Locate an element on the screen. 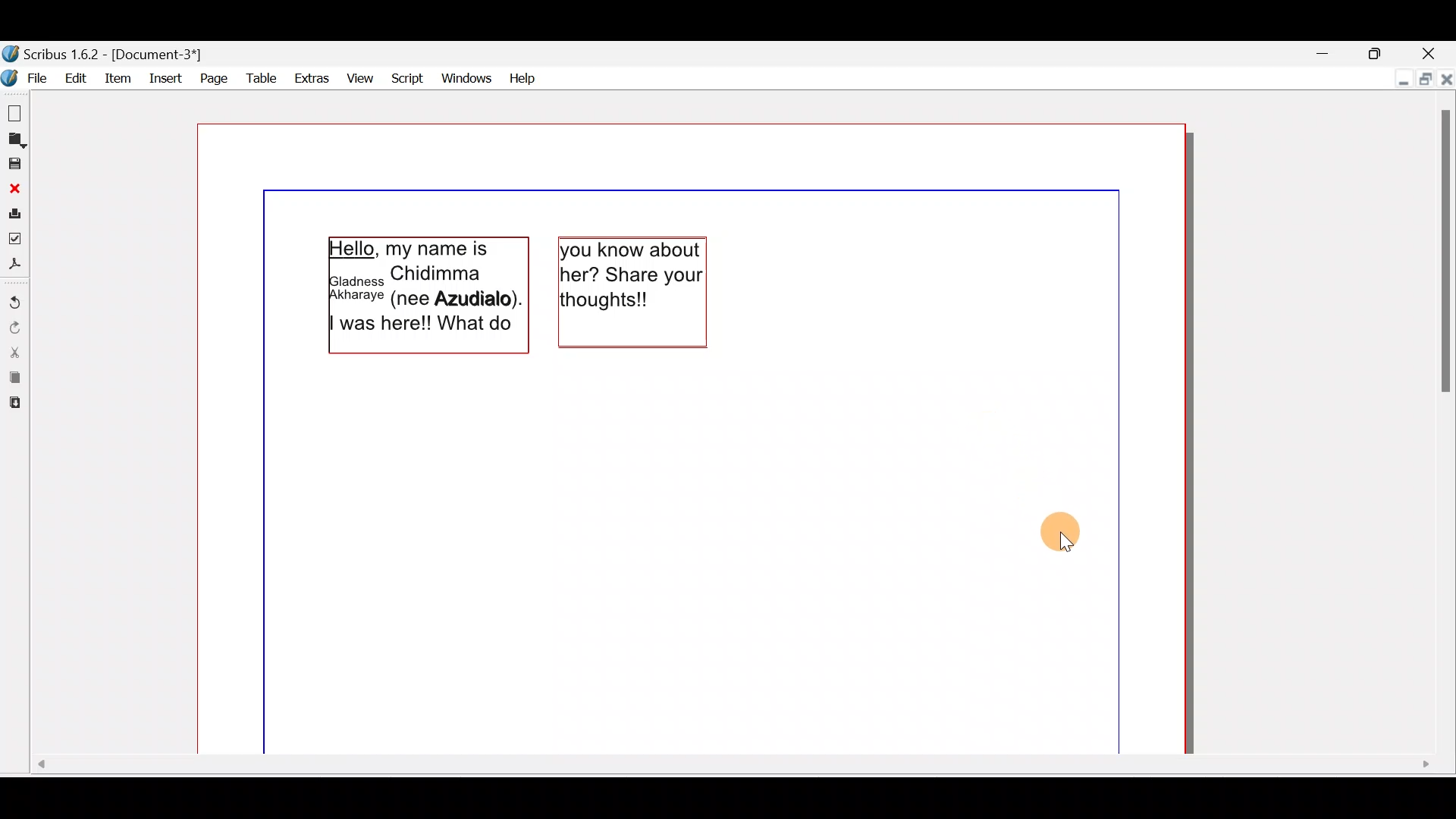 The height and width of the screenshot is (819, 1456). Page is located at coordinates (210, 77).